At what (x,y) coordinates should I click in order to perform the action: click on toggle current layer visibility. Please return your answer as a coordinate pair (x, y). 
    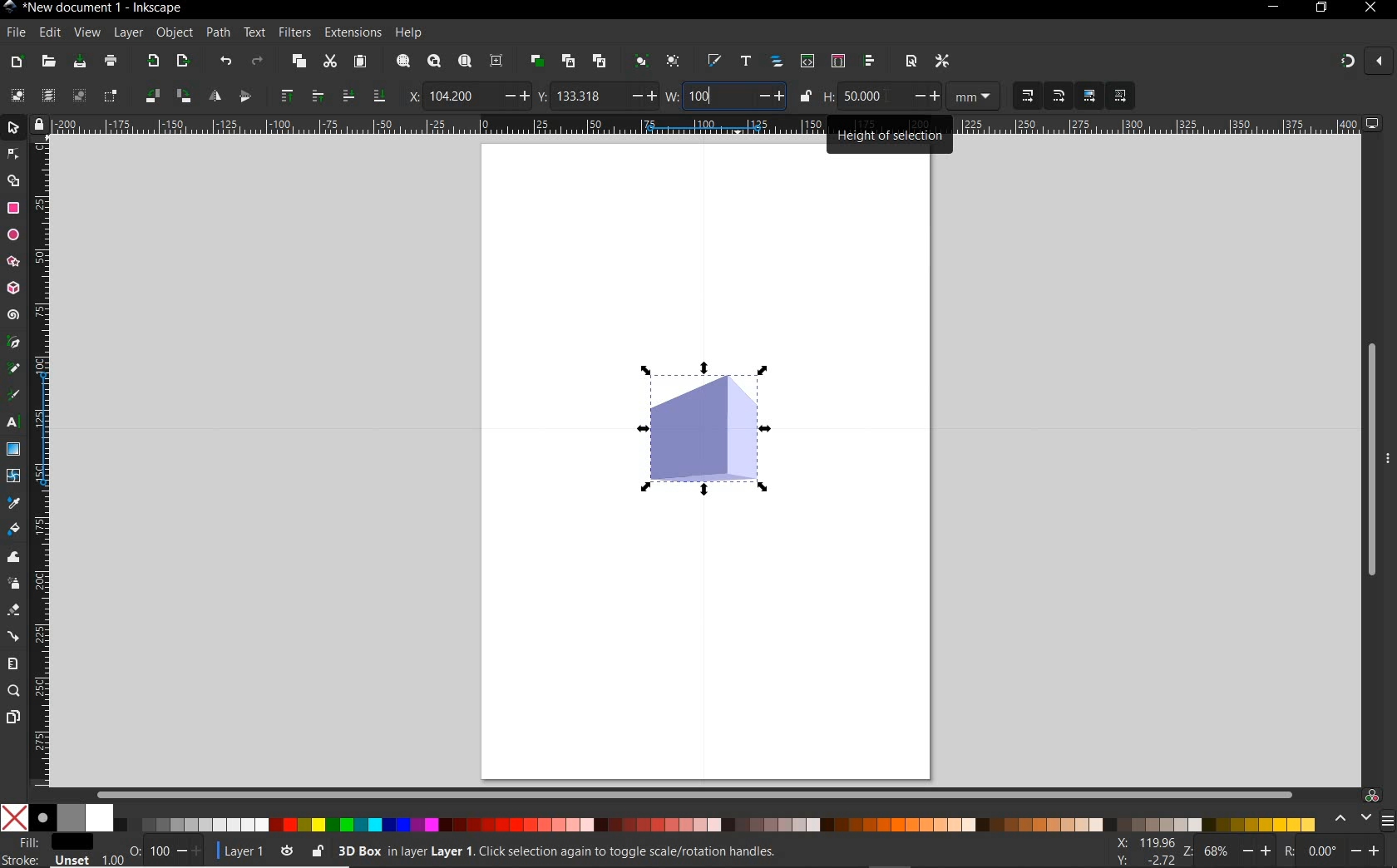
    Looking at the image, I should click on (284, 851).